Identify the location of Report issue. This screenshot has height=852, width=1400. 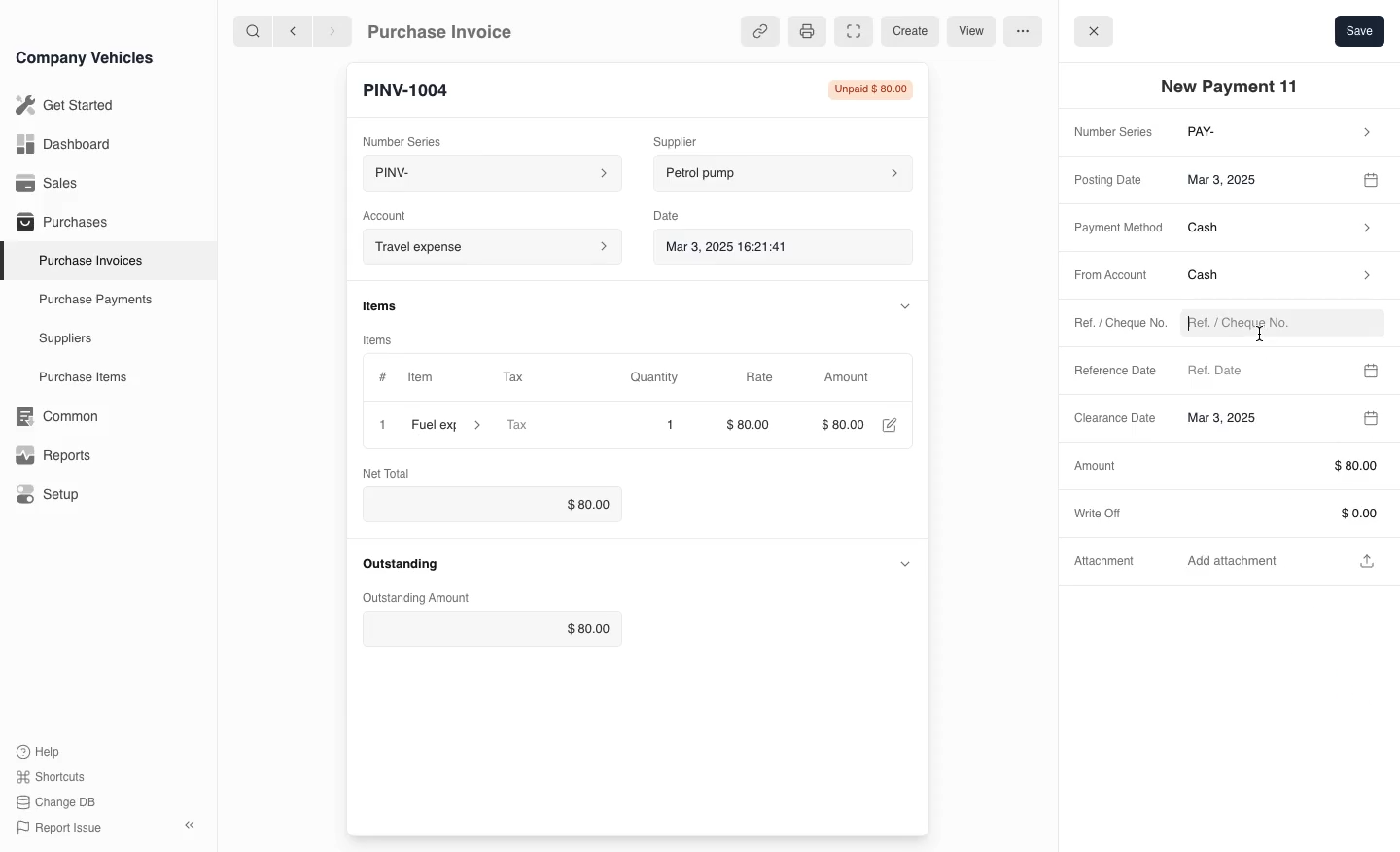
(62, 829).